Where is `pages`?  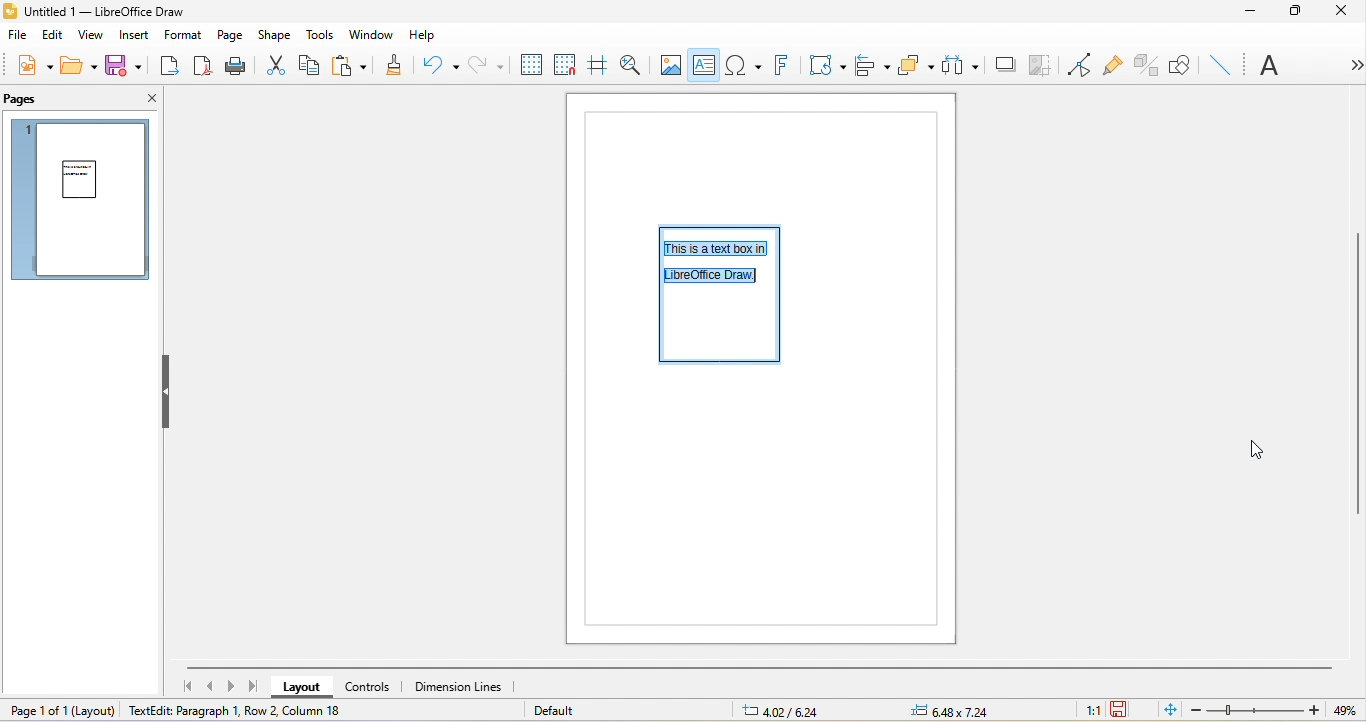 pages is located at coordinates (26, 98).